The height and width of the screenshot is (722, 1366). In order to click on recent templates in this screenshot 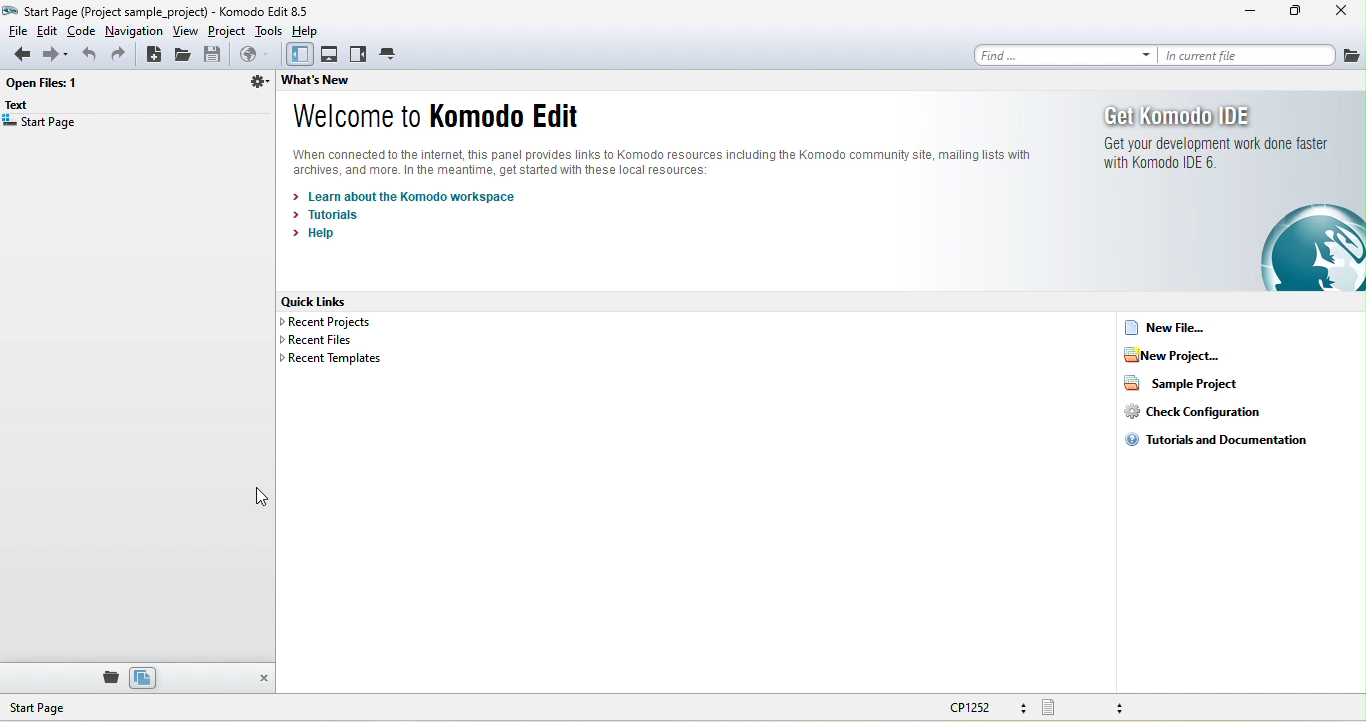, I will do `click(330, 360)`.